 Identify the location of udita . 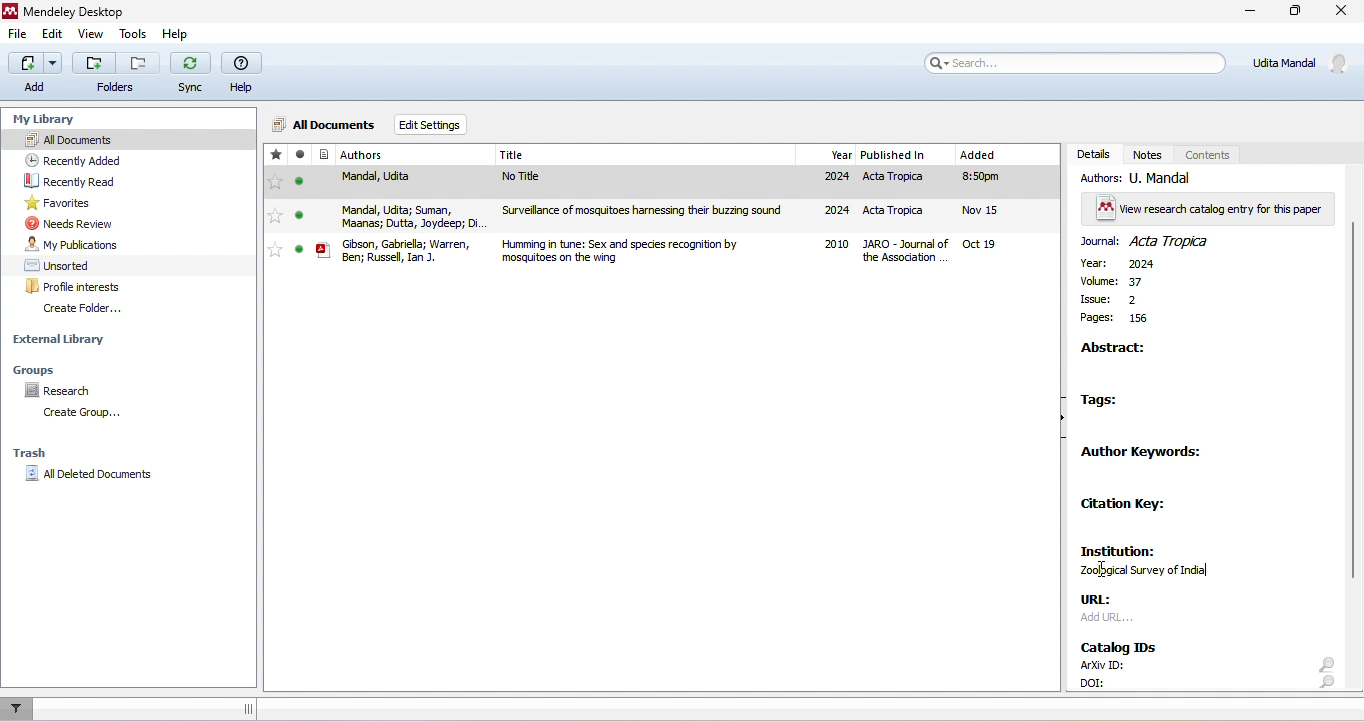
(1303, 61).